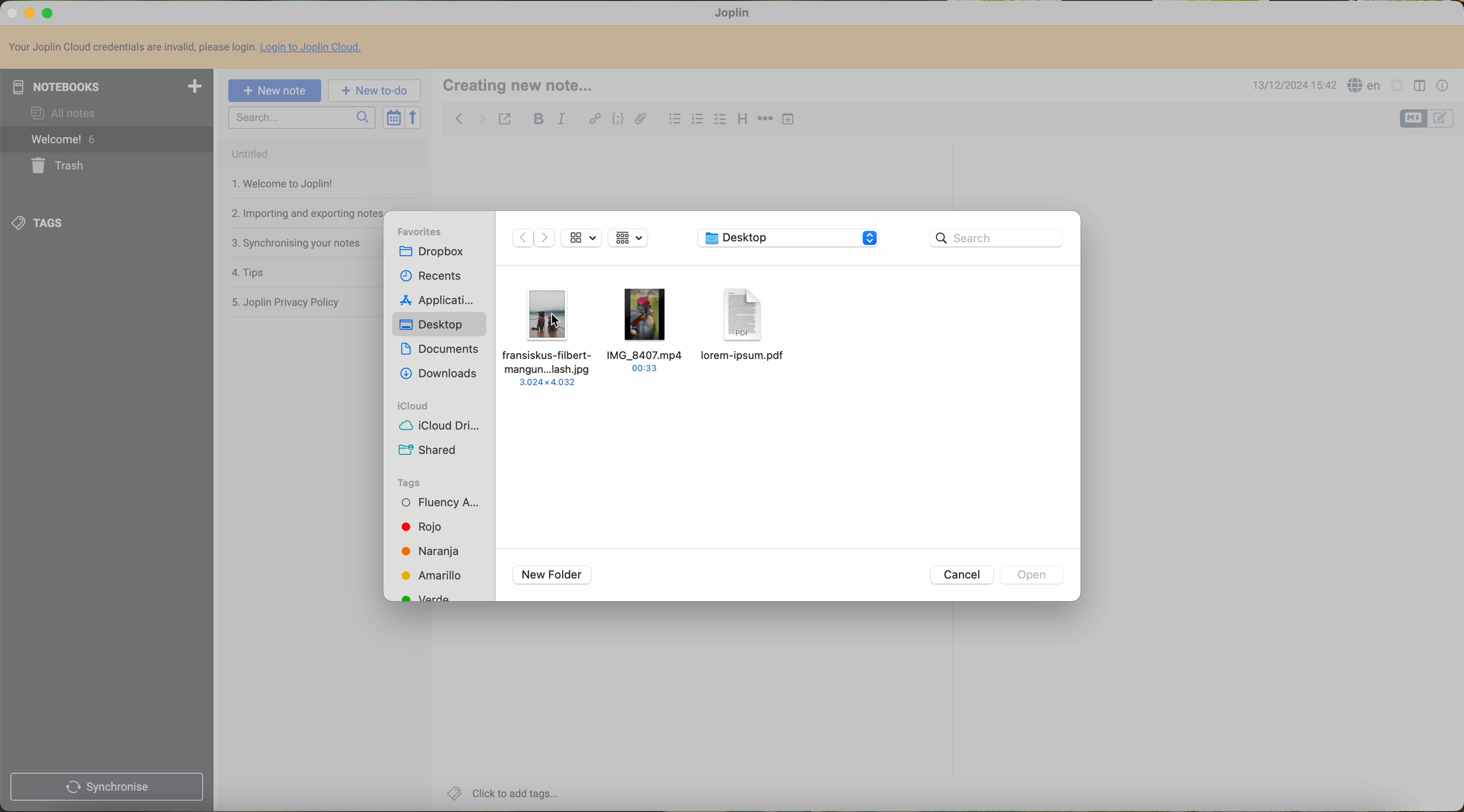  I want to click on yellow tag, so click(436, 576).